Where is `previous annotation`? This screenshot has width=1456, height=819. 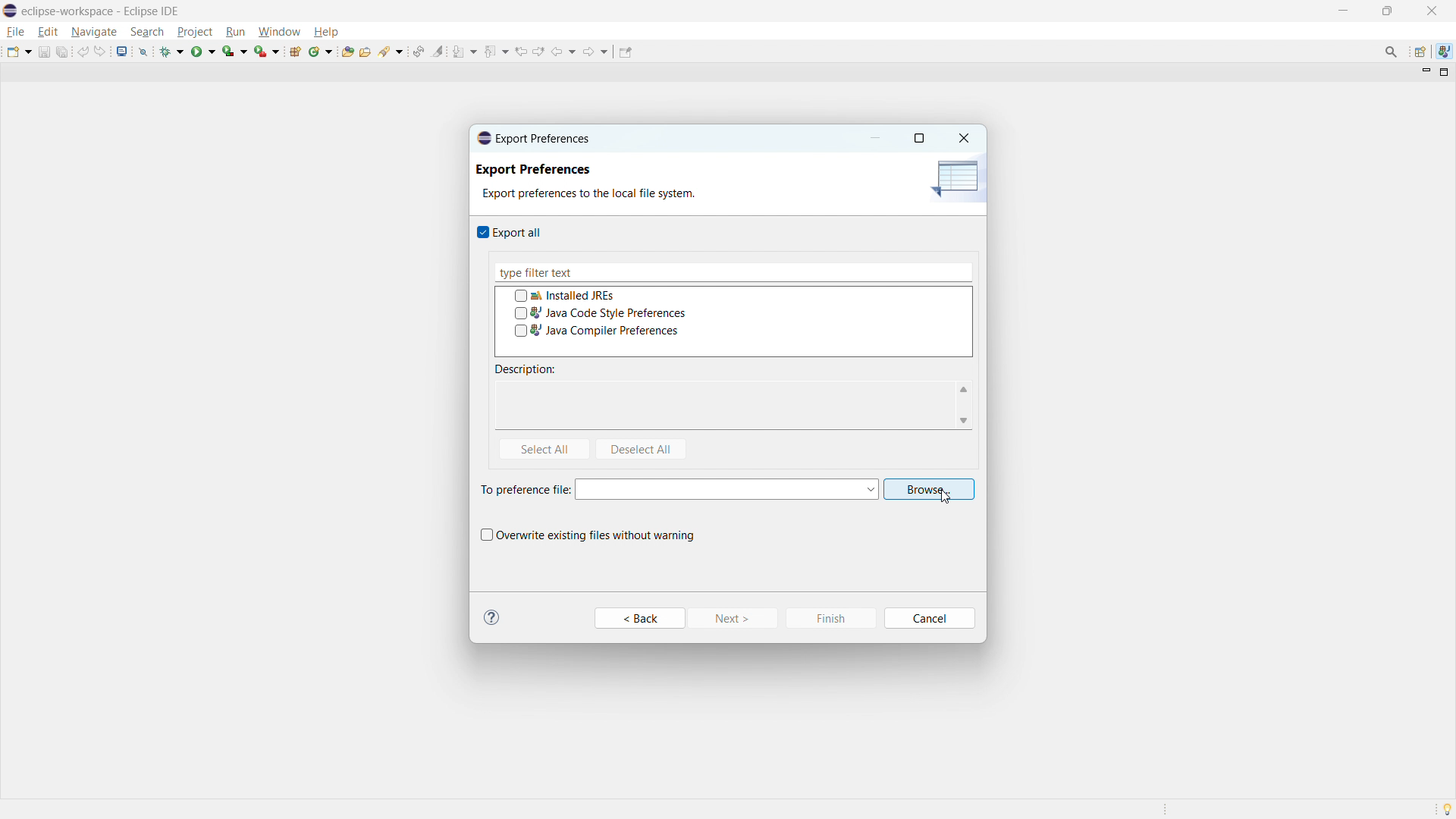 previous annotation is located at coordinates (497, 50).